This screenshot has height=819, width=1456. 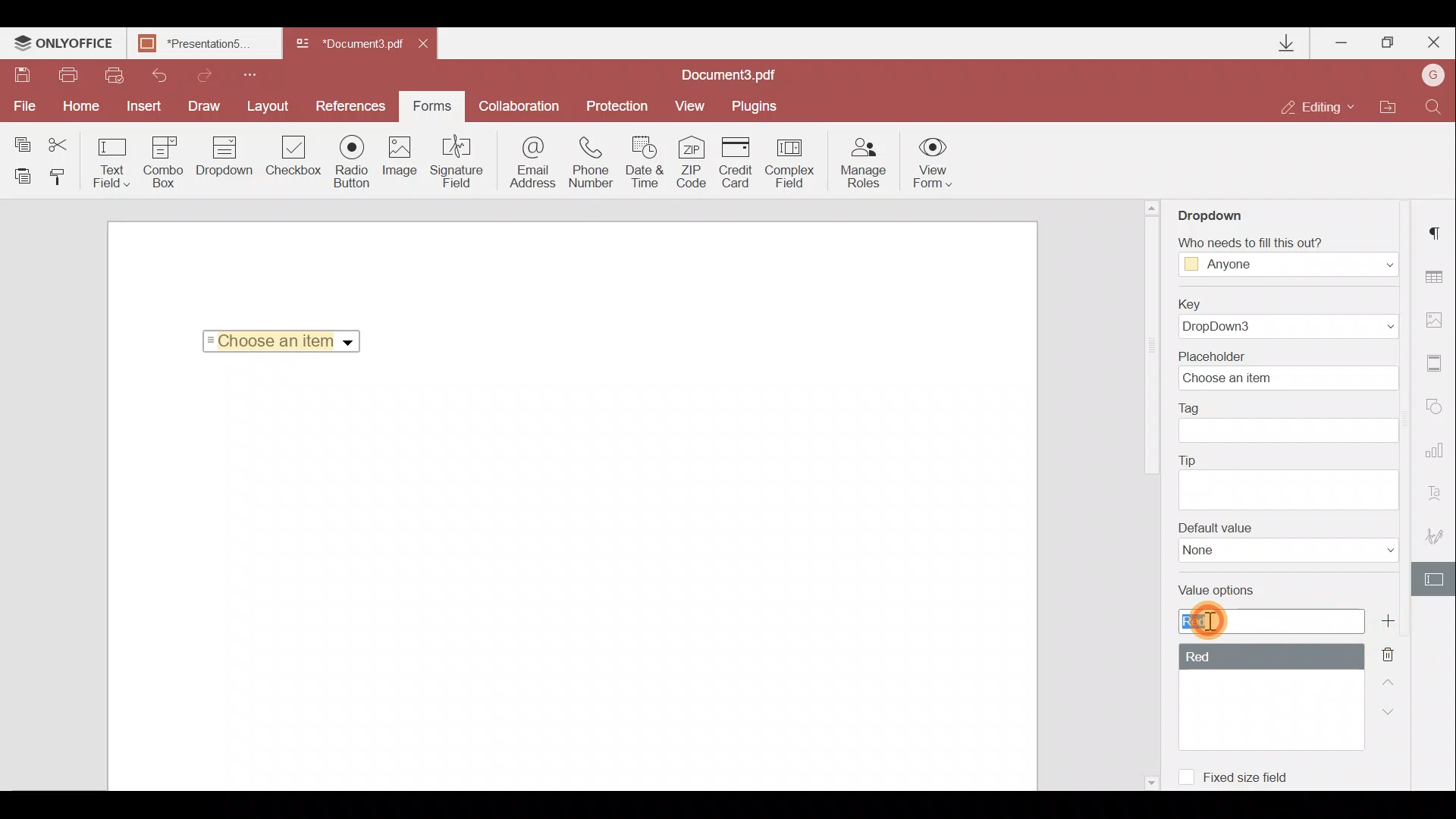 What do you see at coordinates (294, 157) in the screenshot?
I see `Checkbox` at bounding box center [294, 157].